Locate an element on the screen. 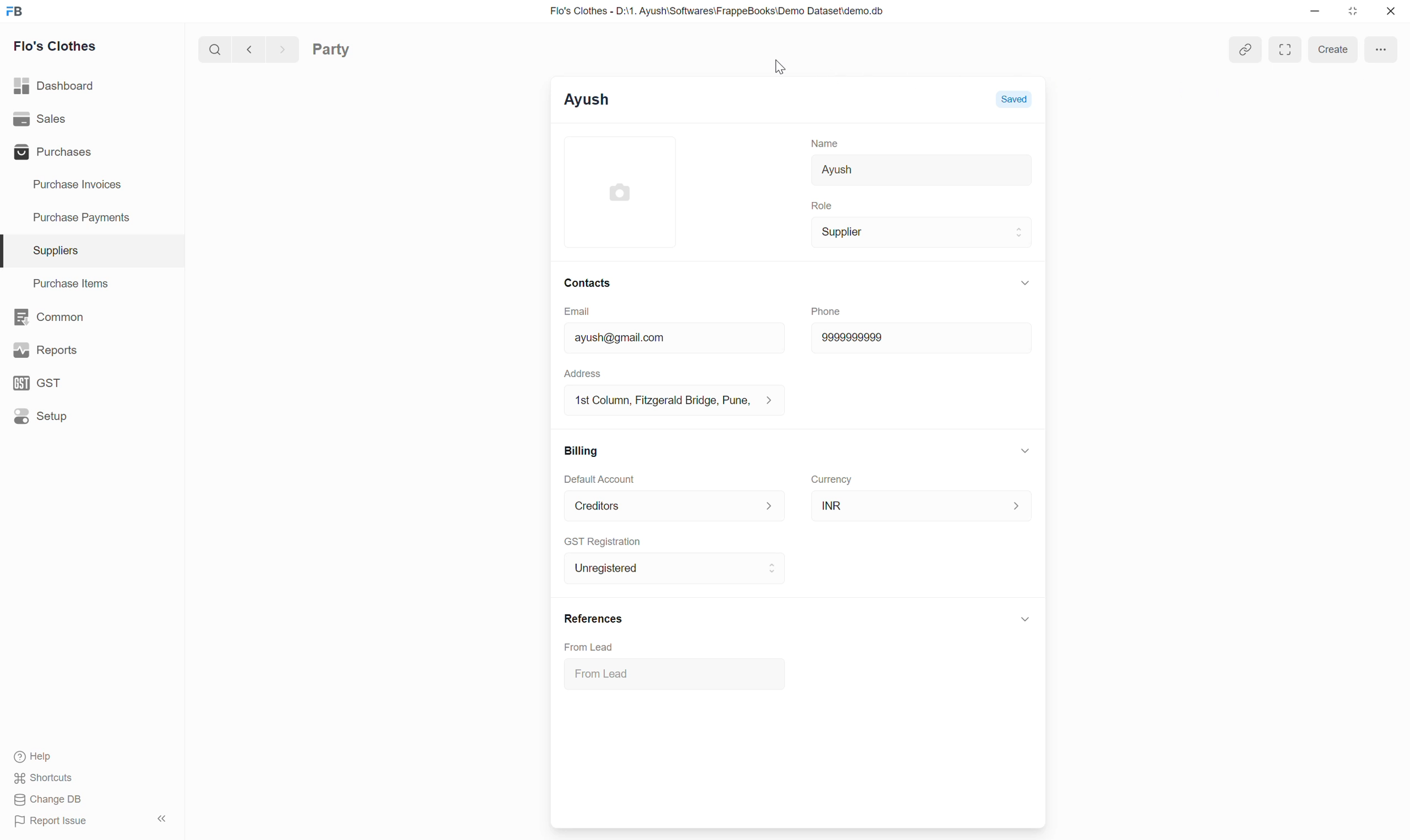 Image resolution: width=1410 pixels, height=840 pixels. Suppliers is located at coordinates (92, 251).